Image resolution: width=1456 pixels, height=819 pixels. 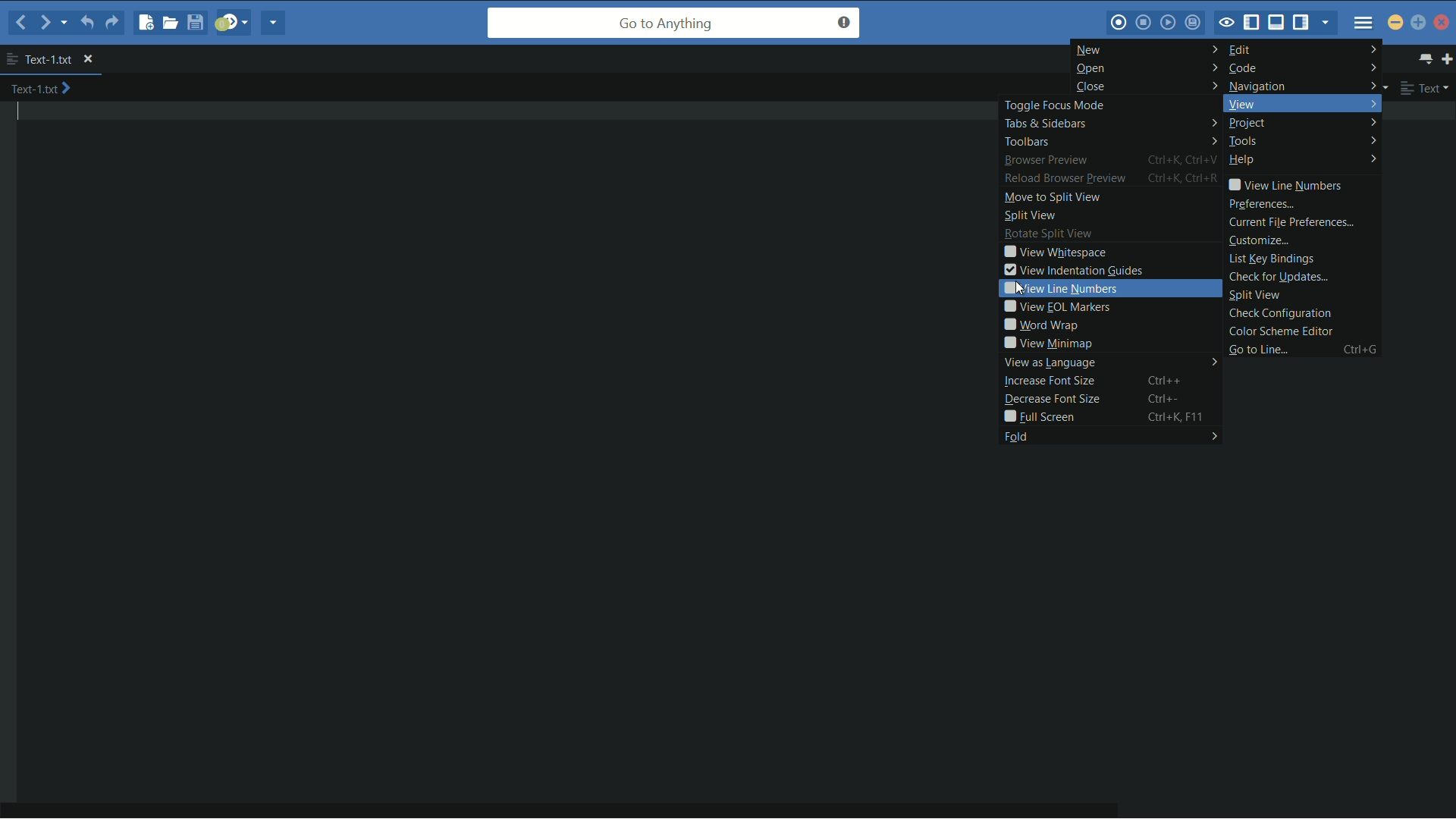 I want to click on jump to next syntax correcting result, so click(x=233, y=22).